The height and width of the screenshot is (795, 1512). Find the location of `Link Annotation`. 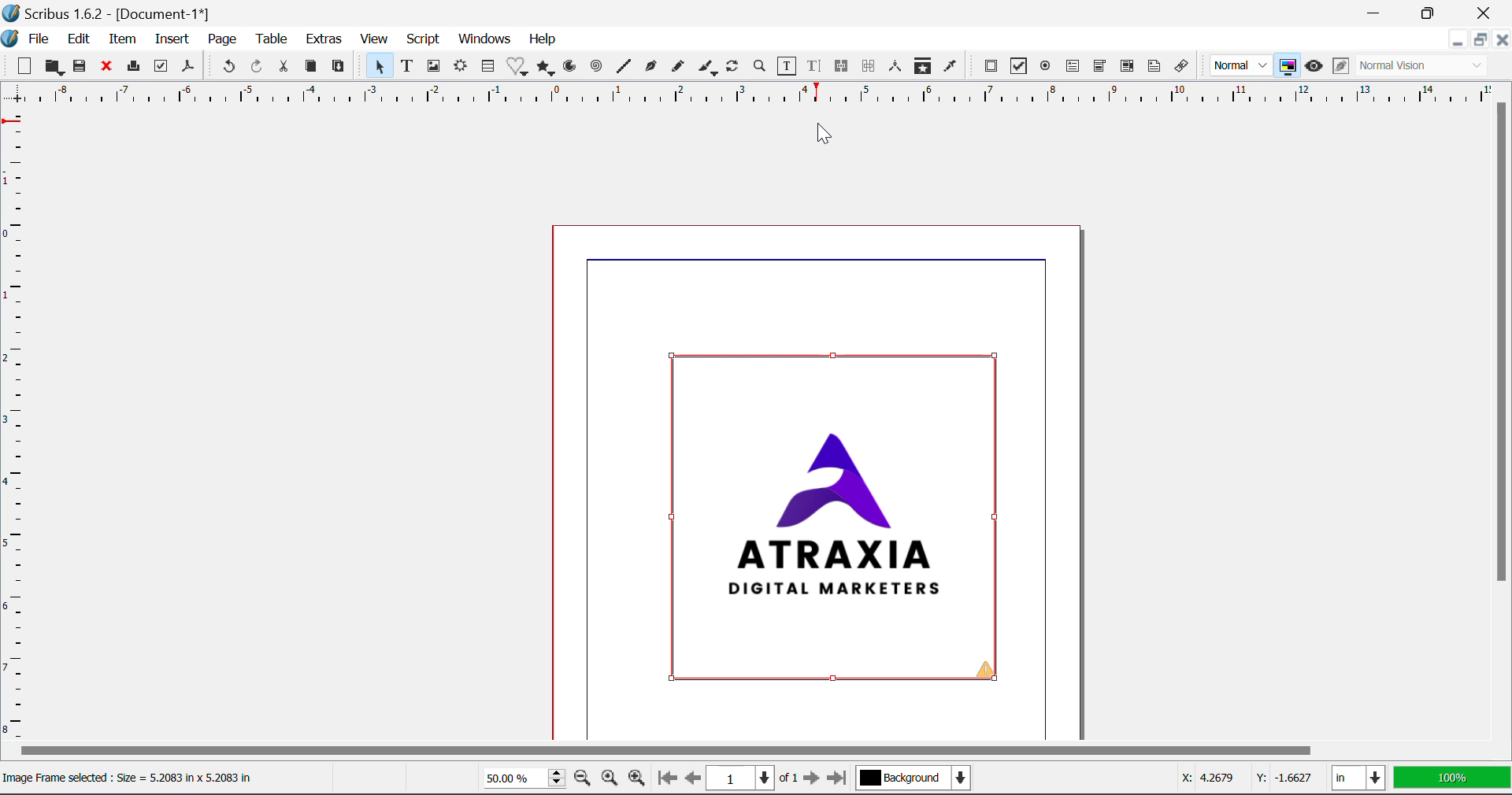

Link Annotation is located at coordinates (1183, 68).